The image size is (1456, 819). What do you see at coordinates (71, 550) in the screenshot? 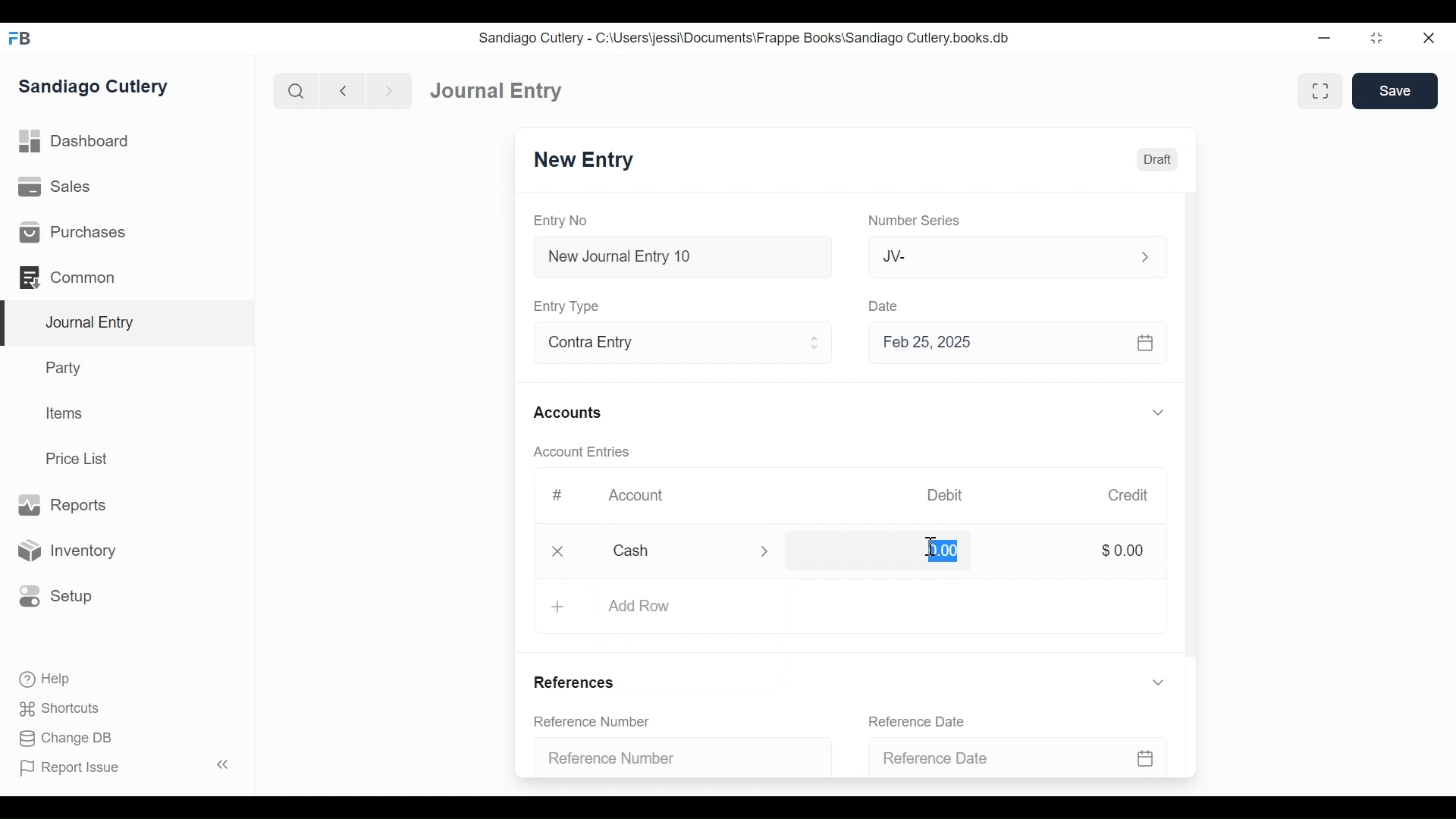
I see `Inventory` at bounding box center [71, 550].